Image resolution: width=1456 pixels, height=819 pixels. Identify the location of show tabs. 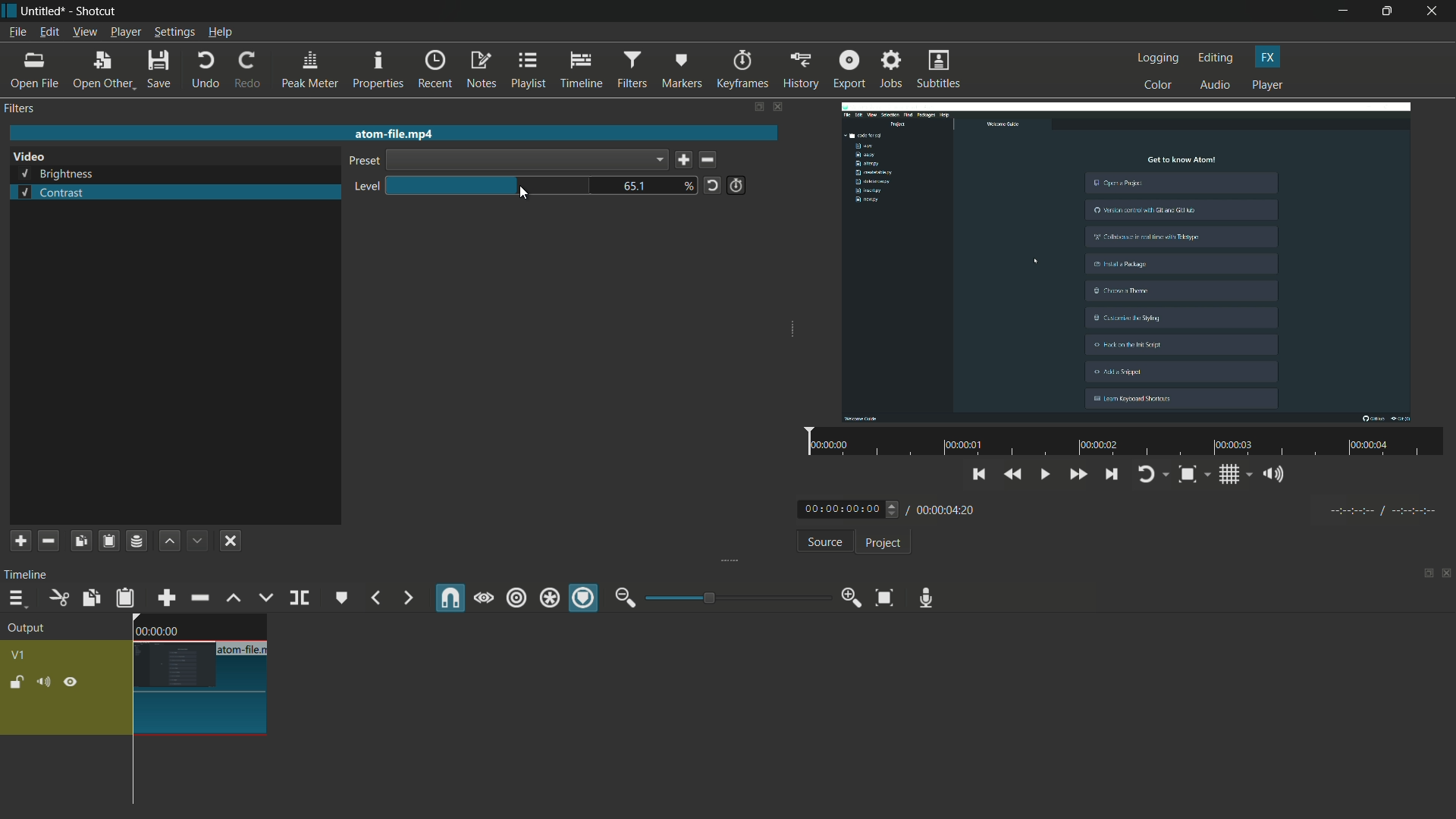
(758, 108).